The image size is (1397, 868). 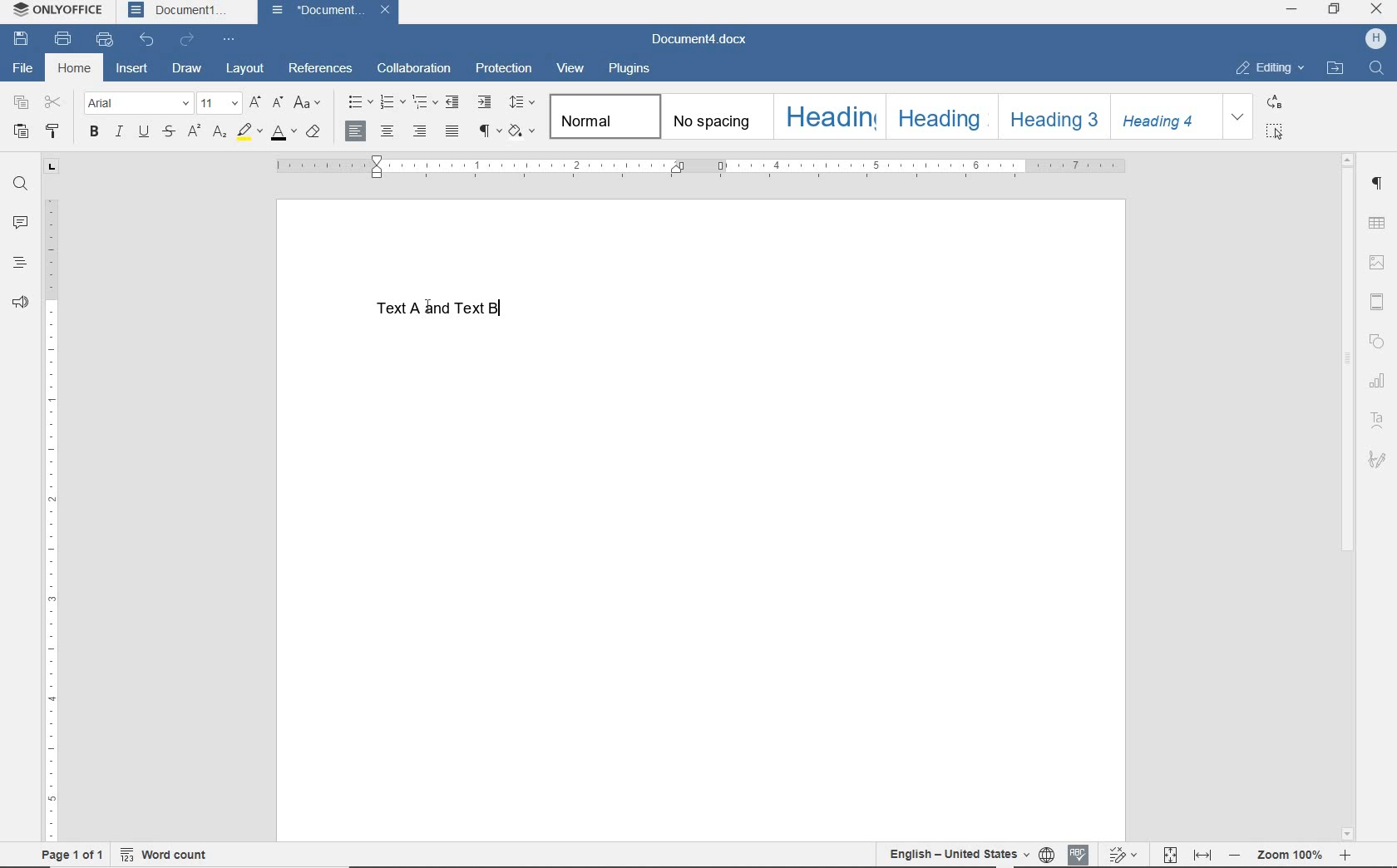 What do you see at coordinates (136, 102) in the screenshot?
I see `FONT` at bounding box center [136, 102].